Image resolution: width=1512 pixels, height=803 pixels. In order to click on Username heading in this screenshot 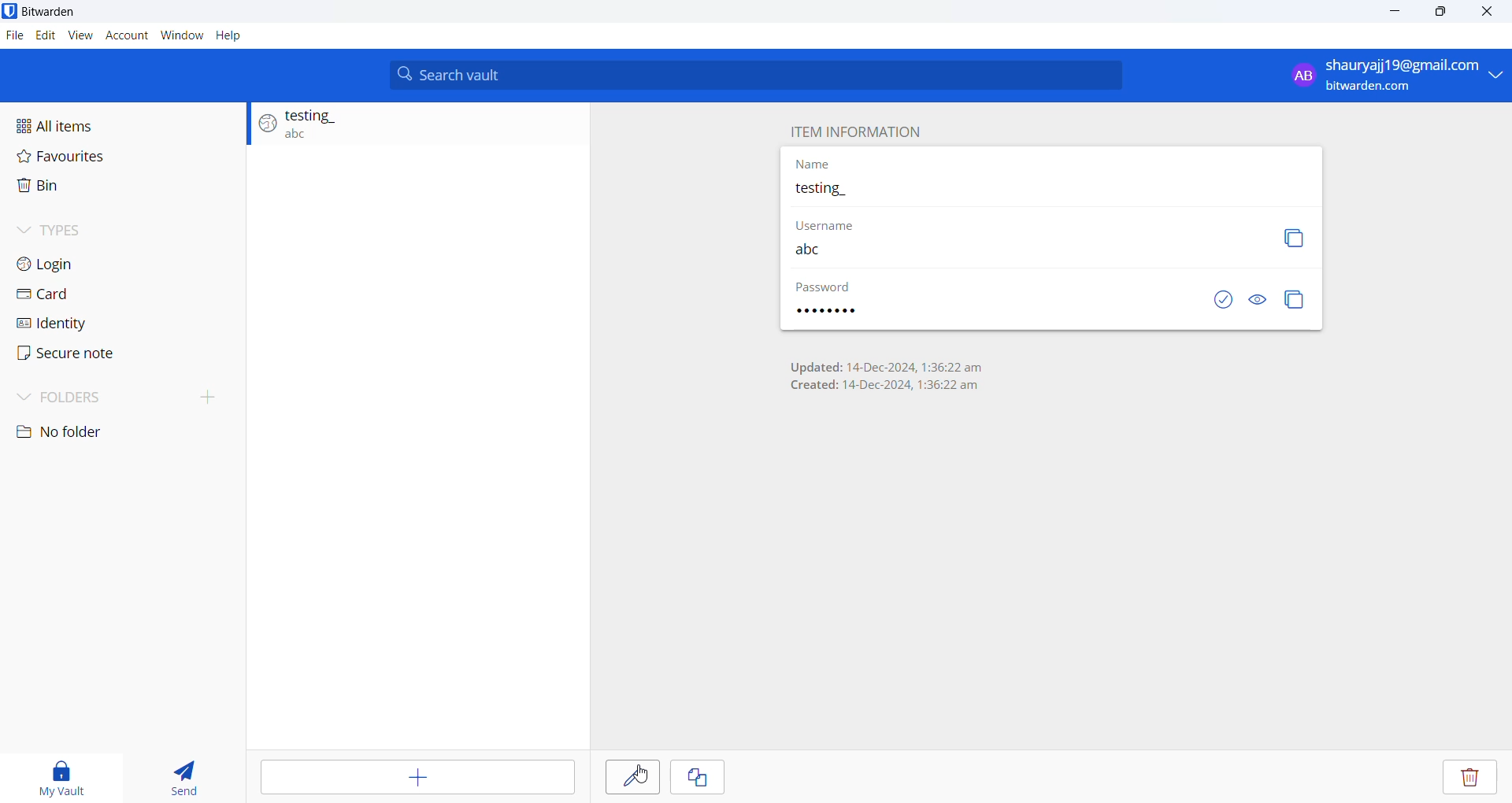, I will do `click(837, 223)`.